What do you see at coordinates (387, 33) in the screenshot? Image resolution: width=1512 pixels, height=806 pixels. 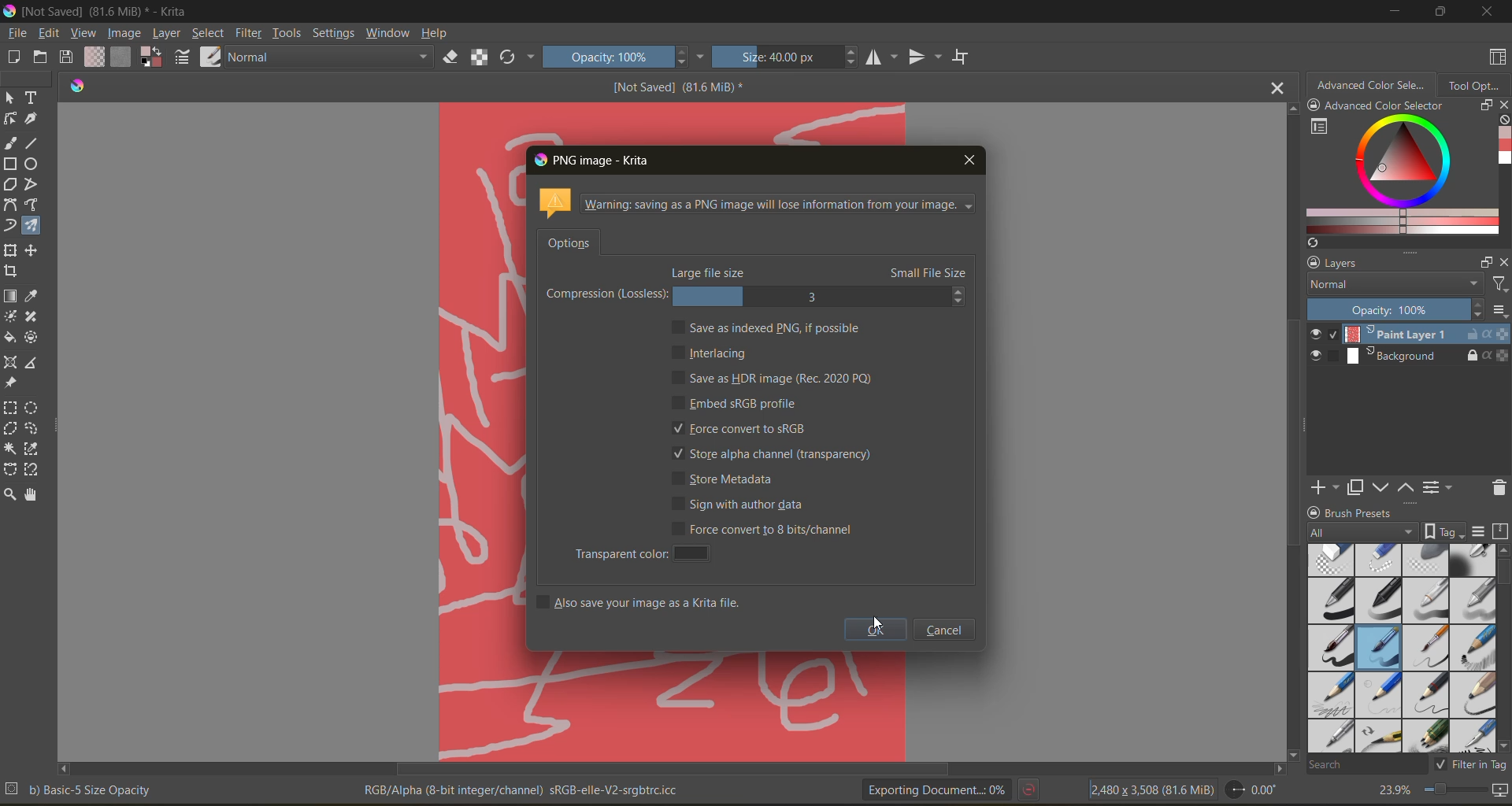 I see `window` at bounding box center [387, 33].